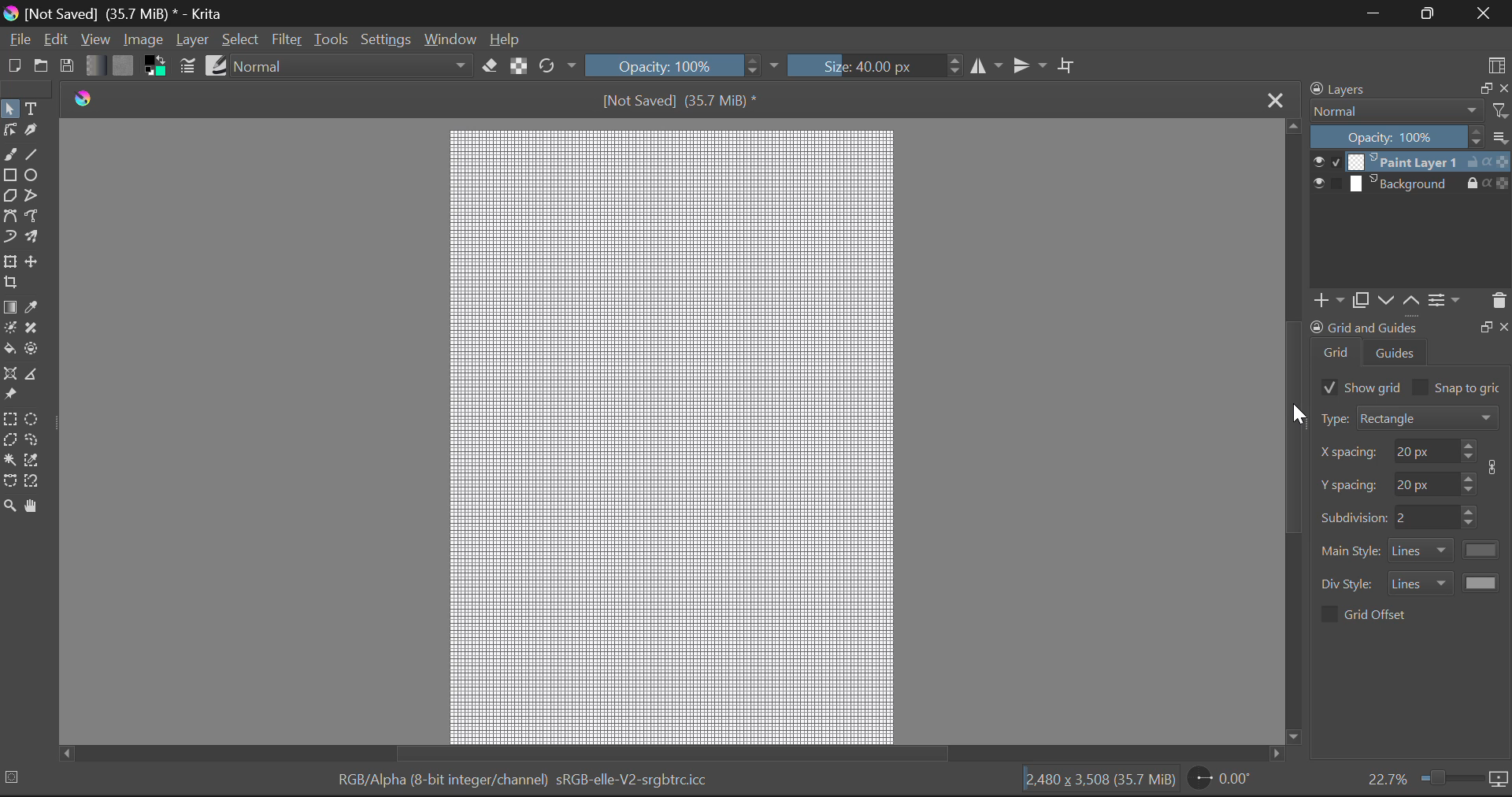 This screenshot has width=1512, height=797. What do you see at coordinates (1444, 299) in the screenshot?
I see `settings` at bounding box center [1444, 299].